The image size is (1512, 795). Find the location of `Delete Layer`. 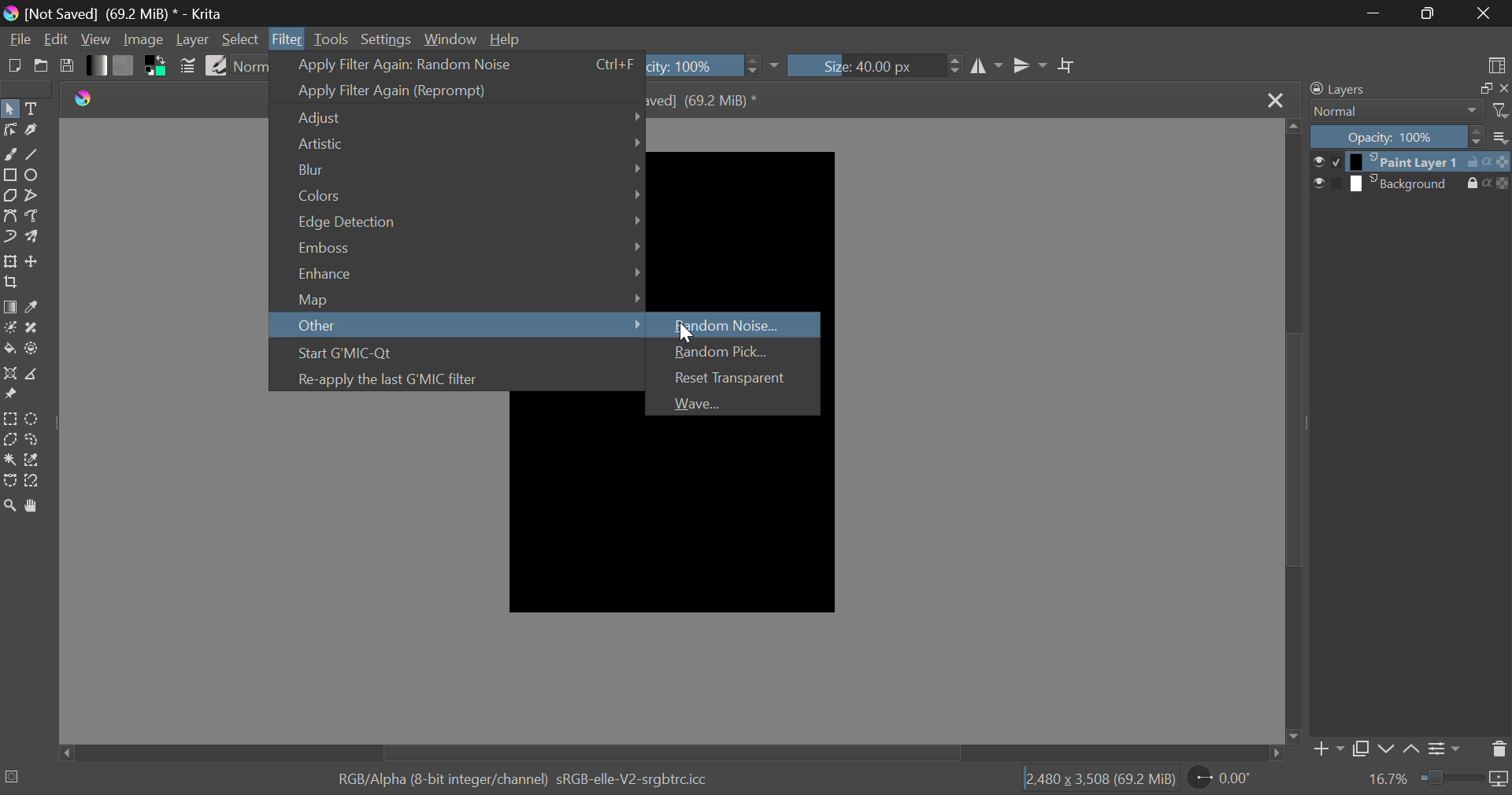

Delete Layer is located at coordinates (1499, 751).